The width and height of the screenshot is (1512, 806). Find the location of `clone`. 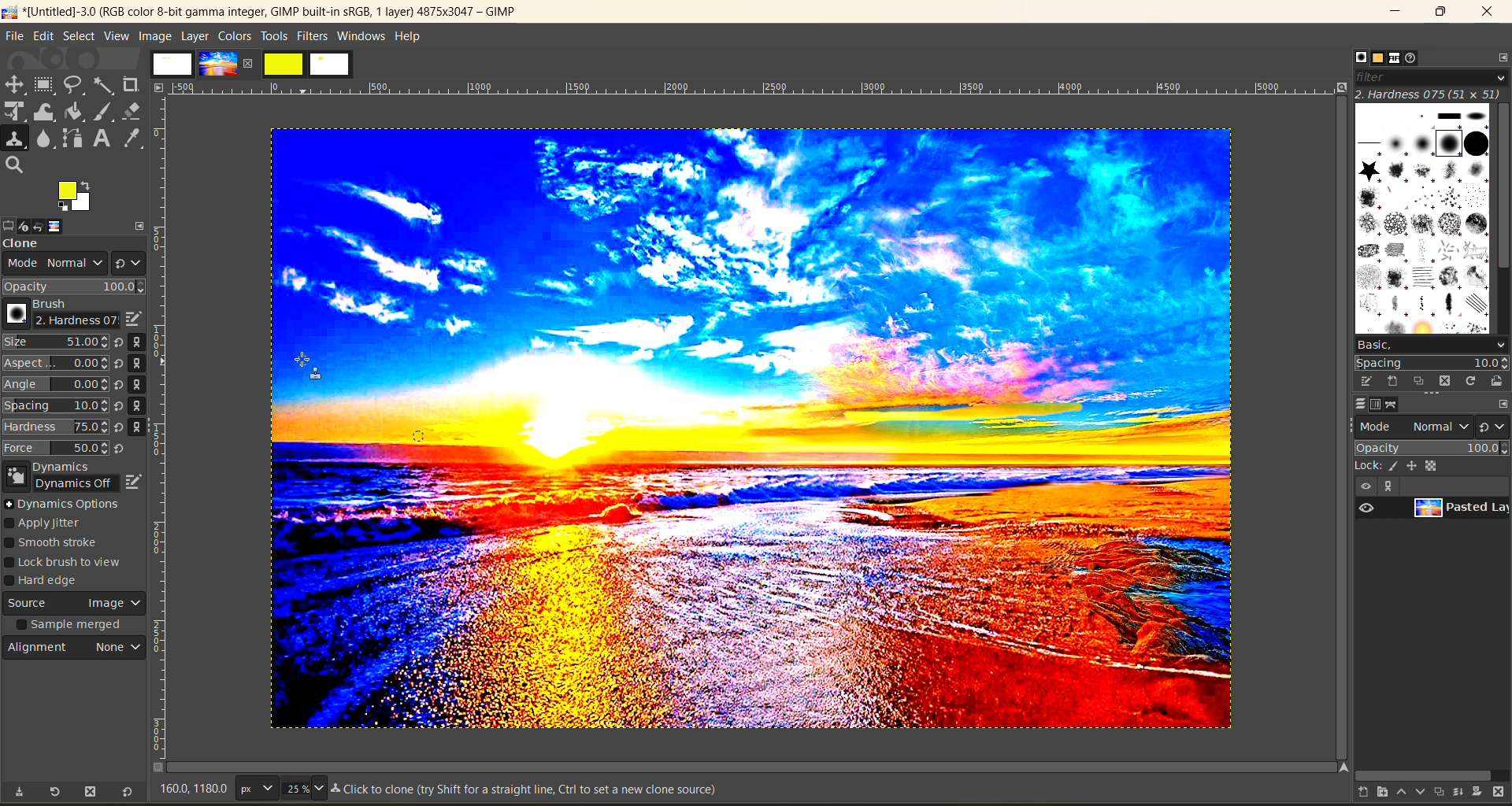

clone is located at coordinates (35, 245).